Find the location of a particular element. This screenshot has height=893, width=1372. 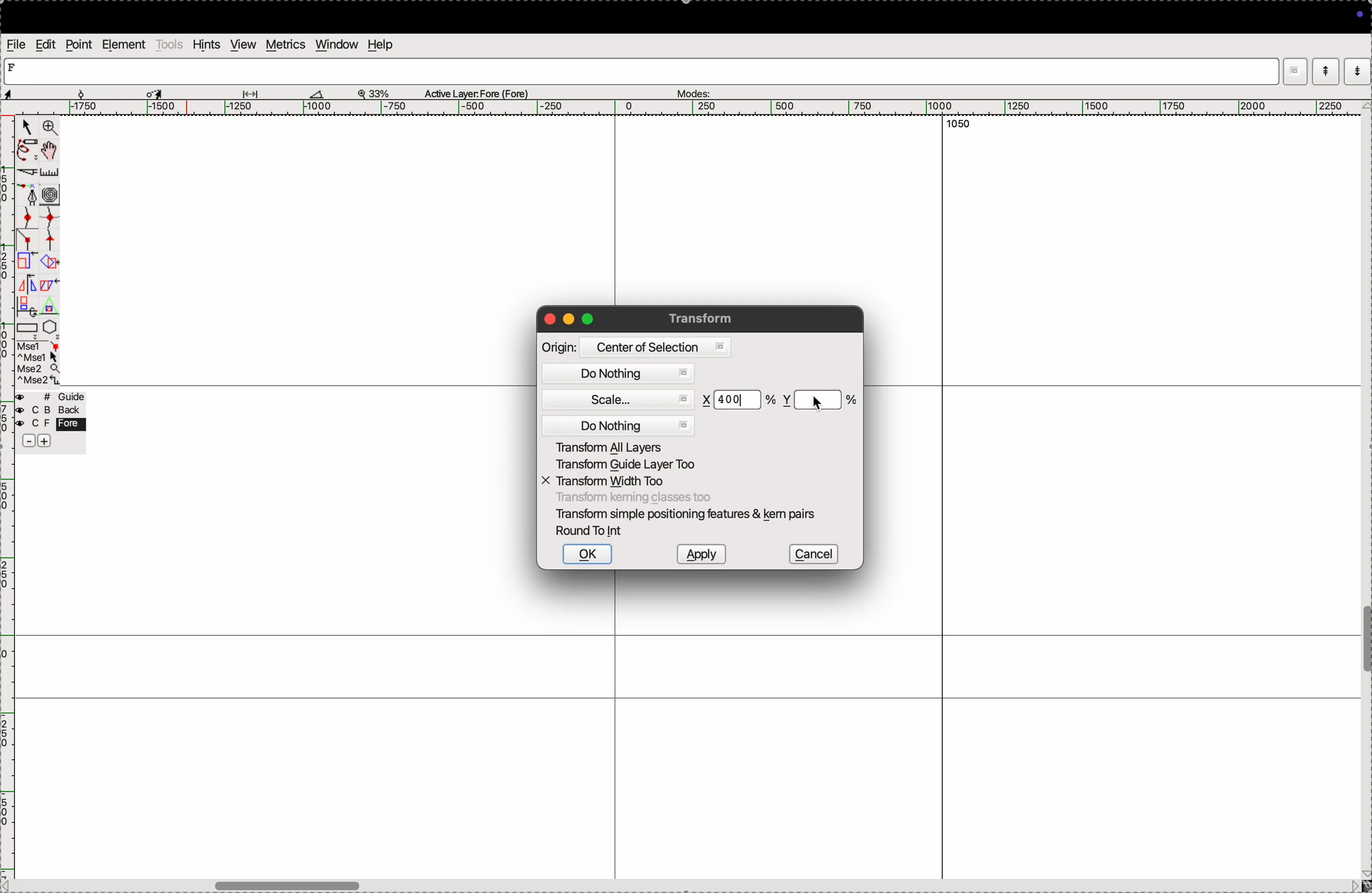

1050 is located at coordinates (955, 125).